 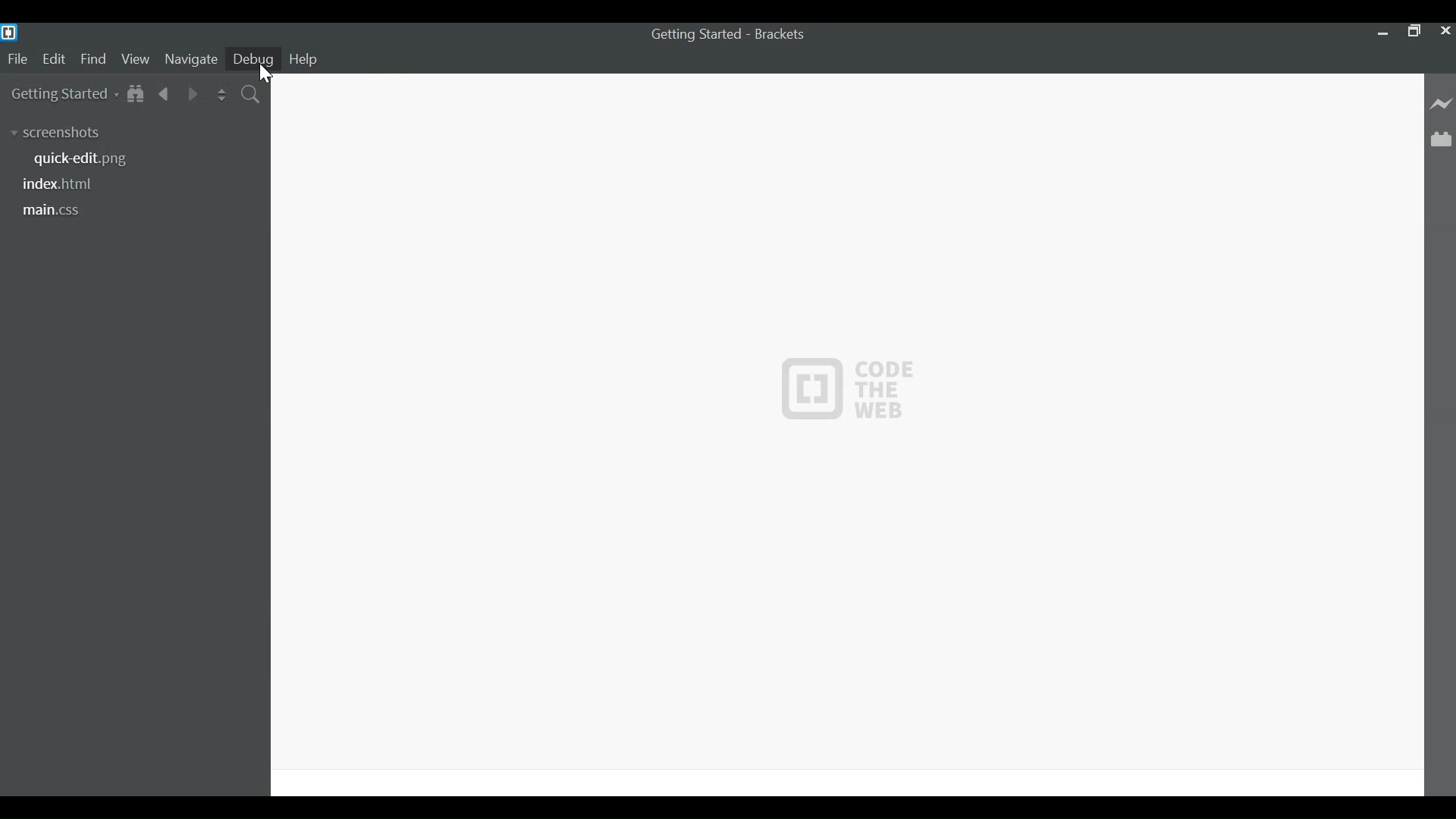 I want to click on Maximize, so click(x=1414, y=33).